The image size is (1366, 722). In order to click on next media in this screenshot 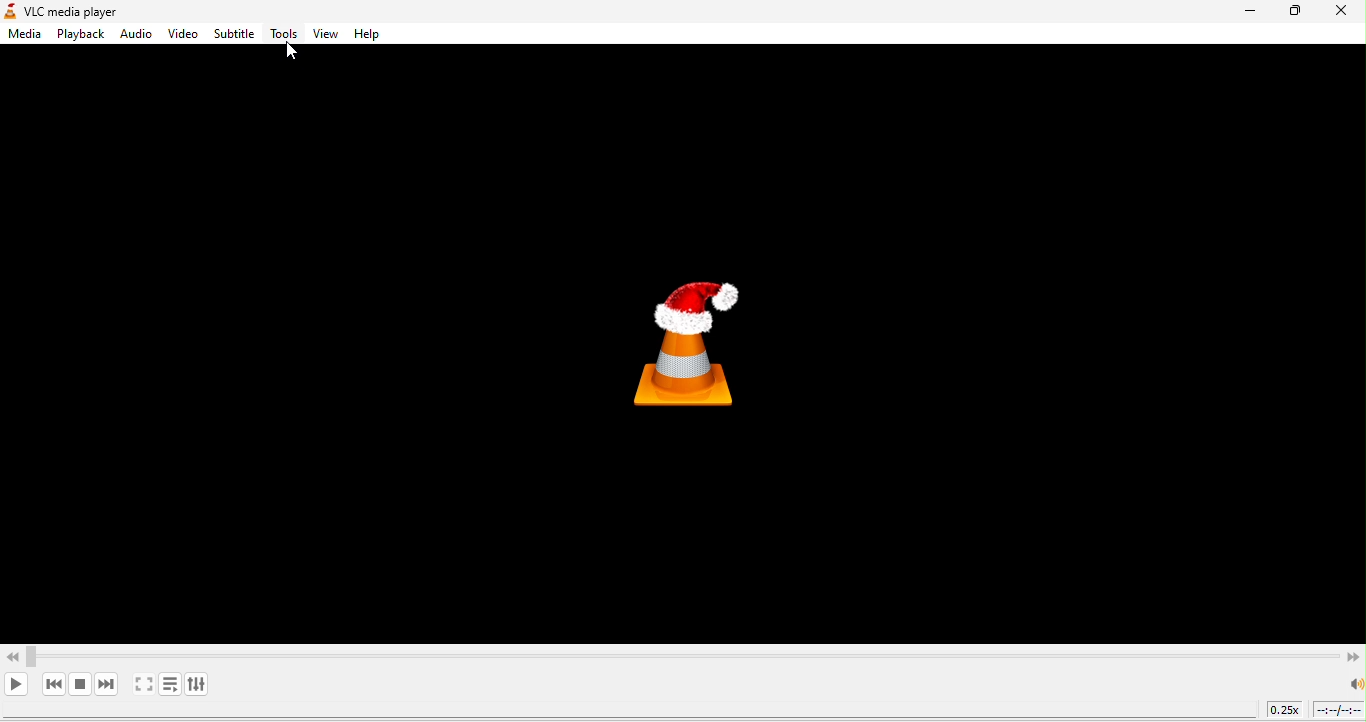, I will do `click(109, 684)`.